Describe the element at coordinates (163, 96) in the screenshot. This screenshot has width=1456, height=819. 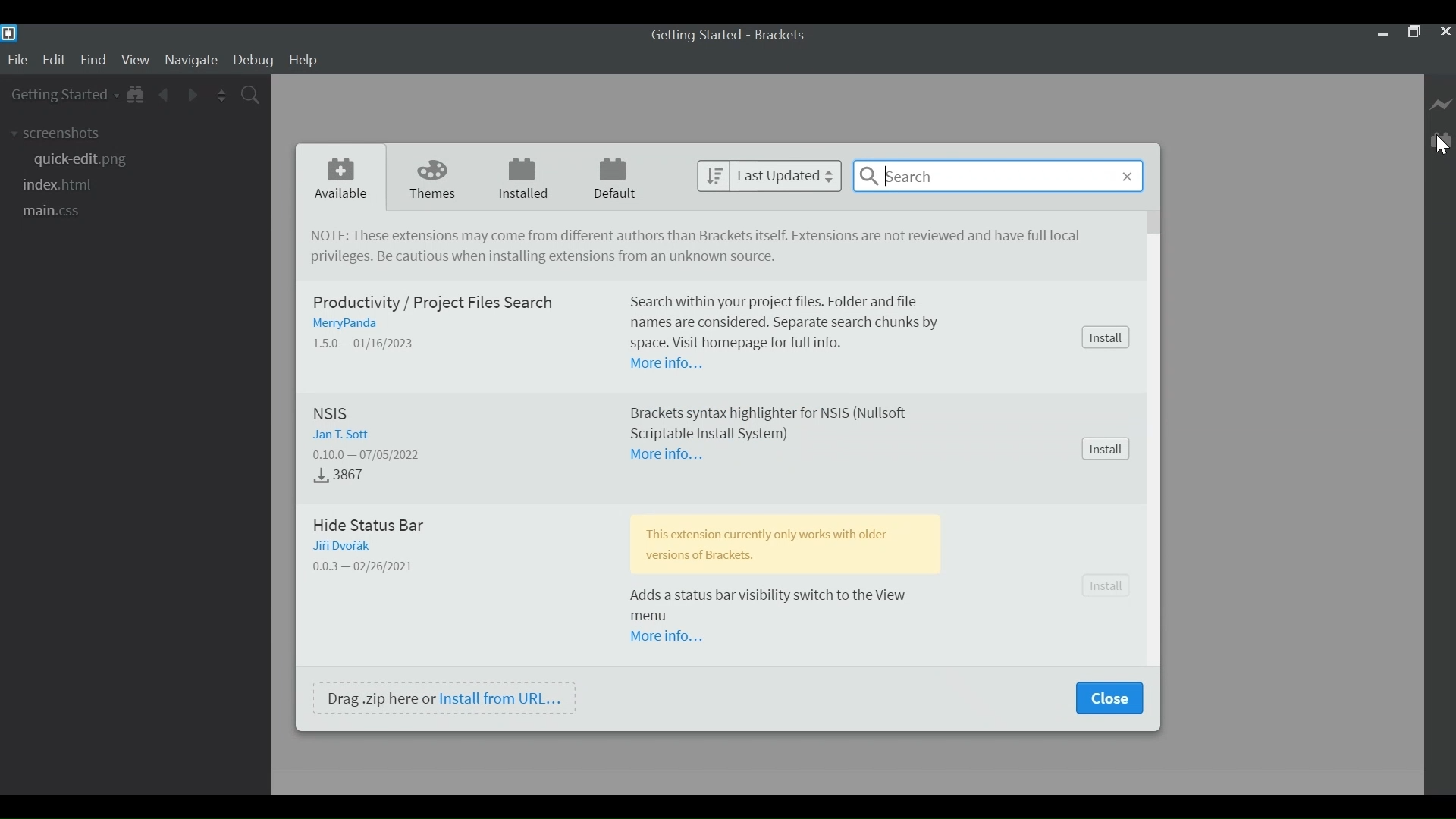
I see `Navigate back` at that location.